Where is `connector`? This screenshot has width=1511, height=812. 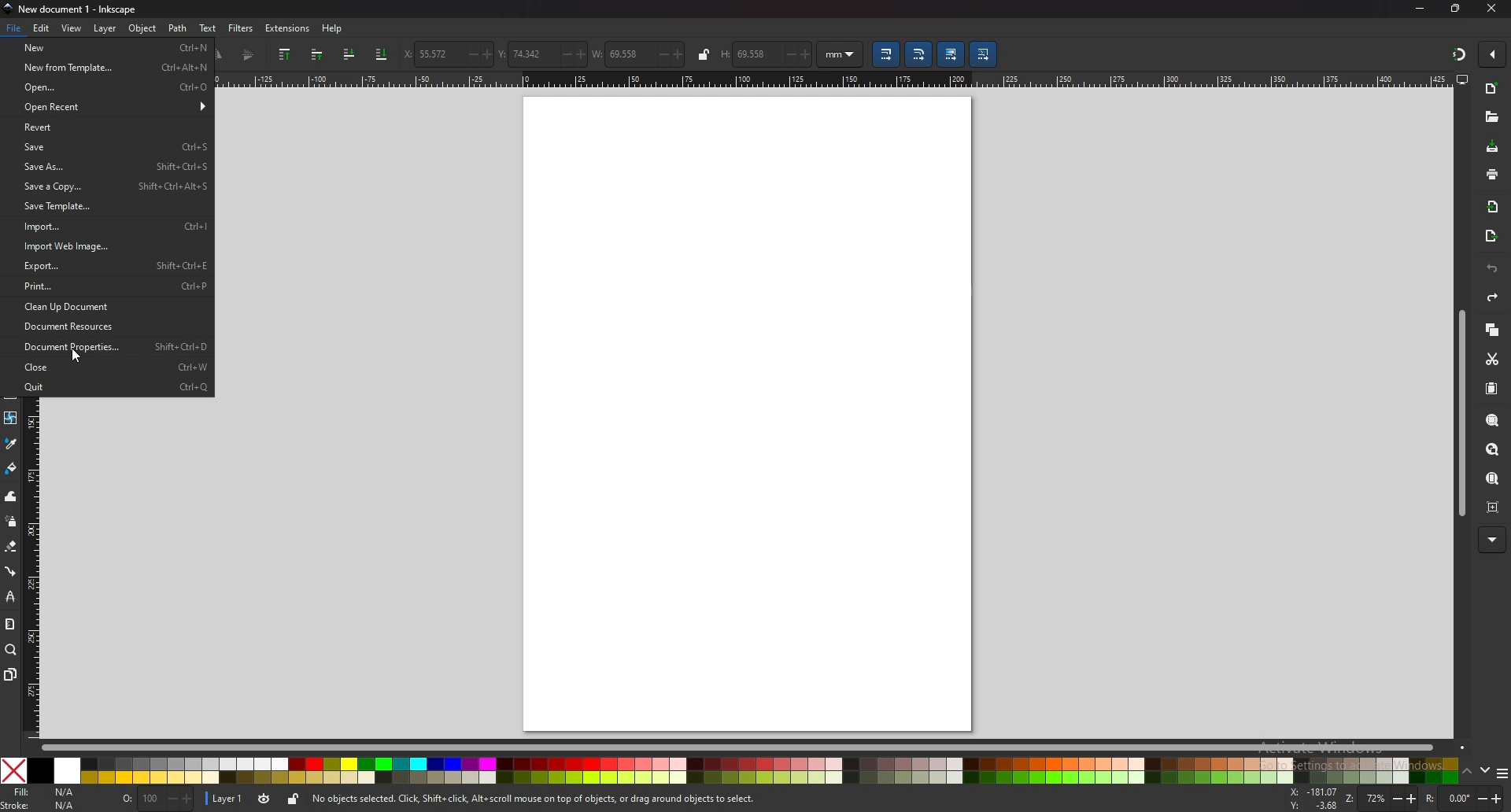
connector is located at coordinates (10, 570).